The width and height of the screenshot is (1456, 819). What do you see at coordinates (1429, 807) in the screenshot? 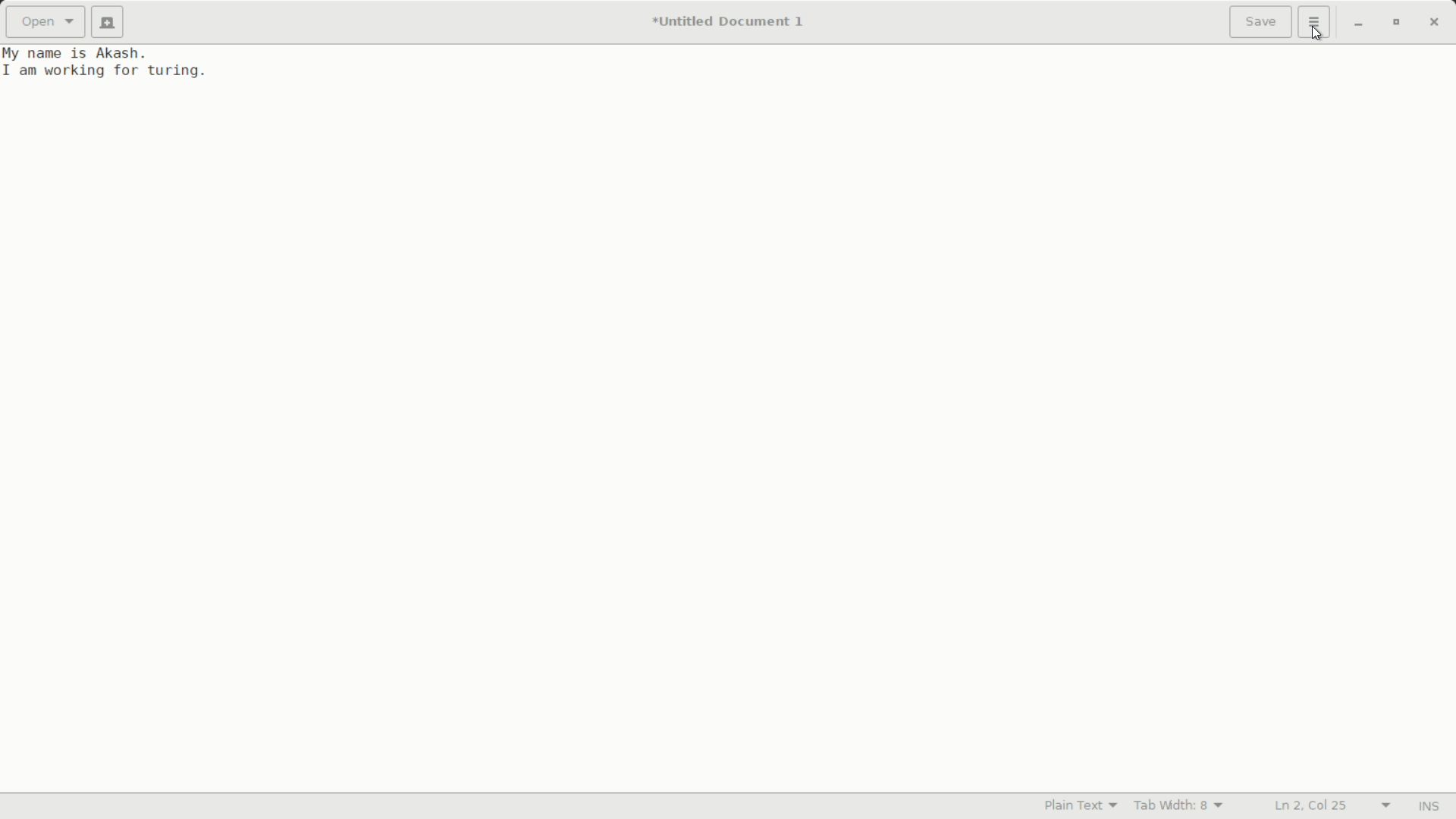
I see `ins` at bounding box center [1429, 807].